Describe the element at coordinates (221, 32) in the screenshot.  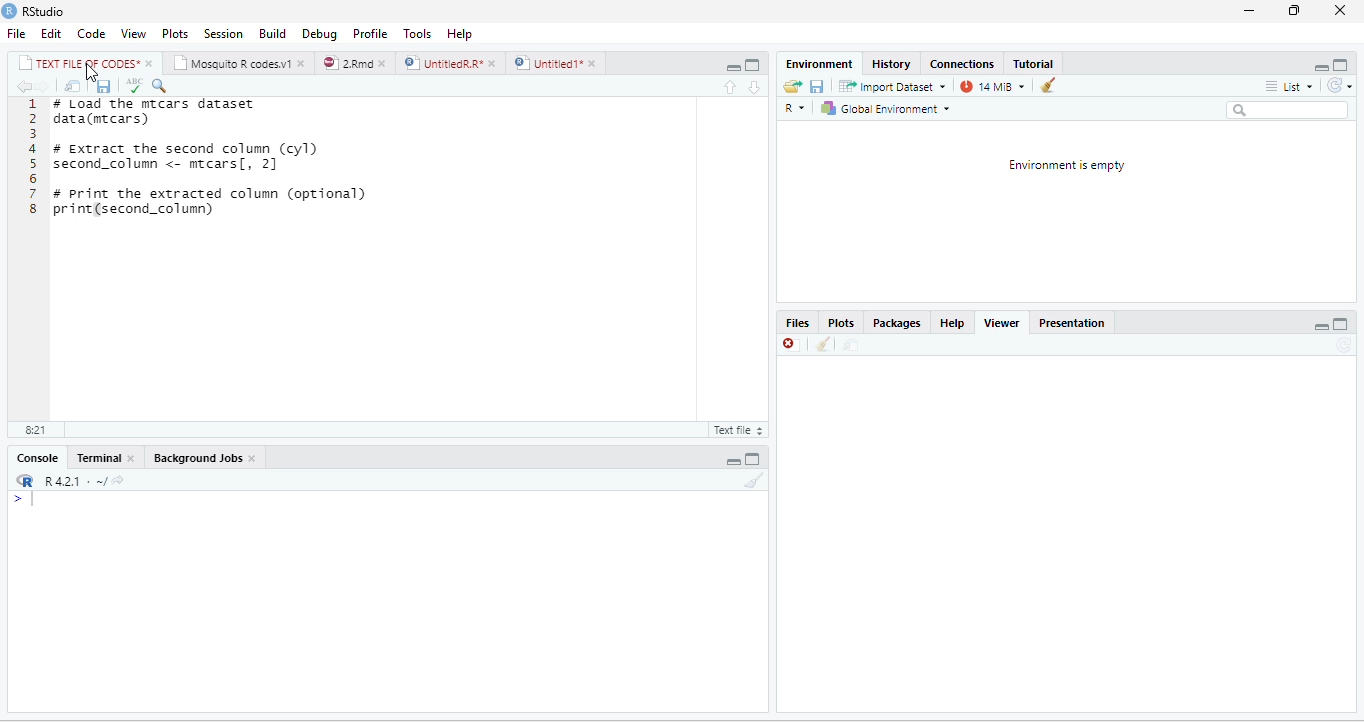
I see `Session` at that location.